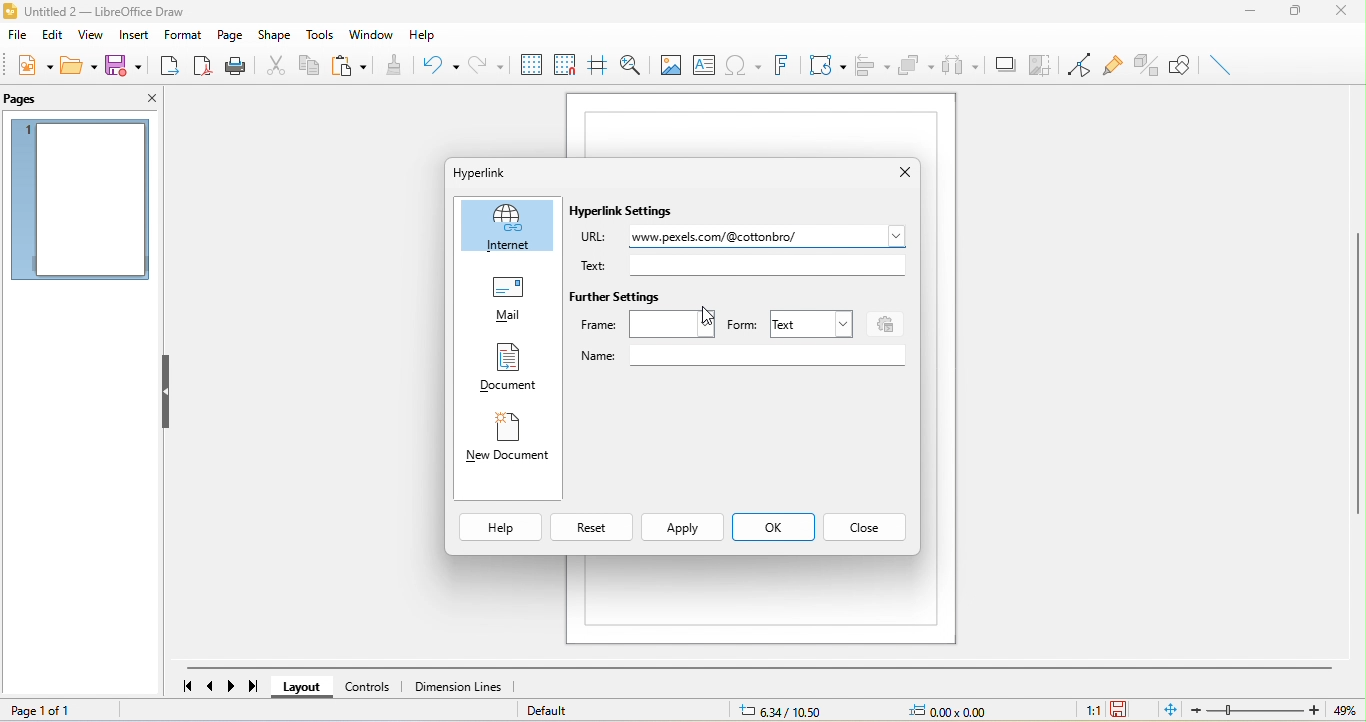  What do you see at coordinates (113, 11) in the screenshot?
I see `Untitled 2 — LibreOffice Draw` at bounding box center [113, 11].